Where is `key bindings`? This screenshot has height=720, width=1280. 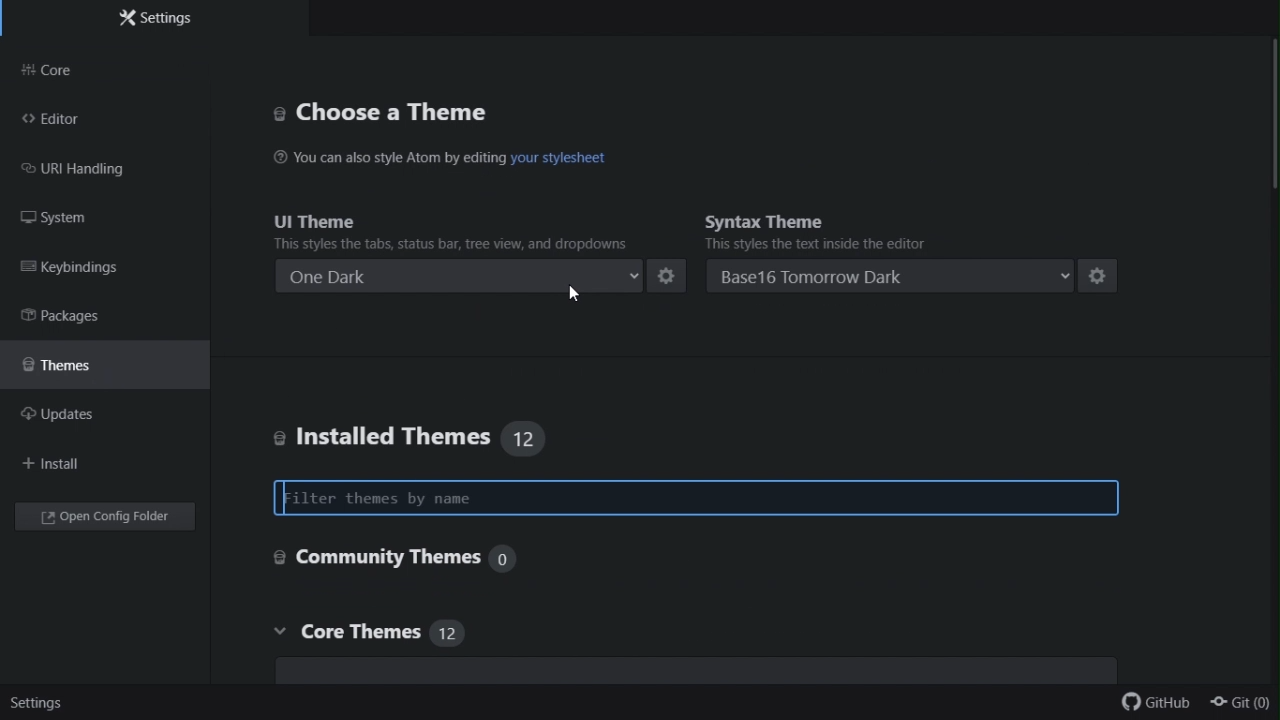 key bindings is located at coordinates (105, 271).